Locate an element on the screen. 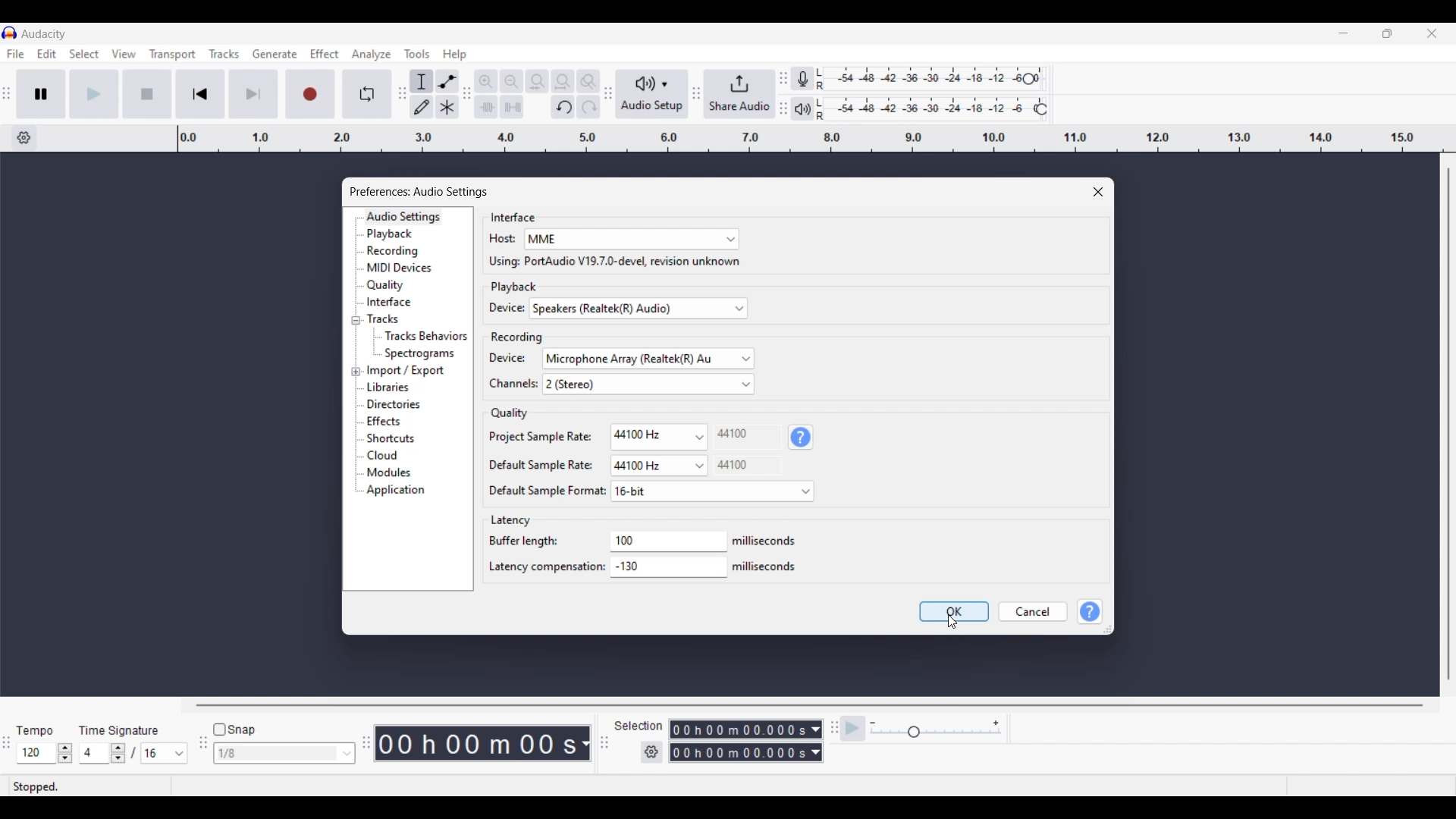 This screenshot has height=819, width=1456. Help is located at coordinates (1091, 612).